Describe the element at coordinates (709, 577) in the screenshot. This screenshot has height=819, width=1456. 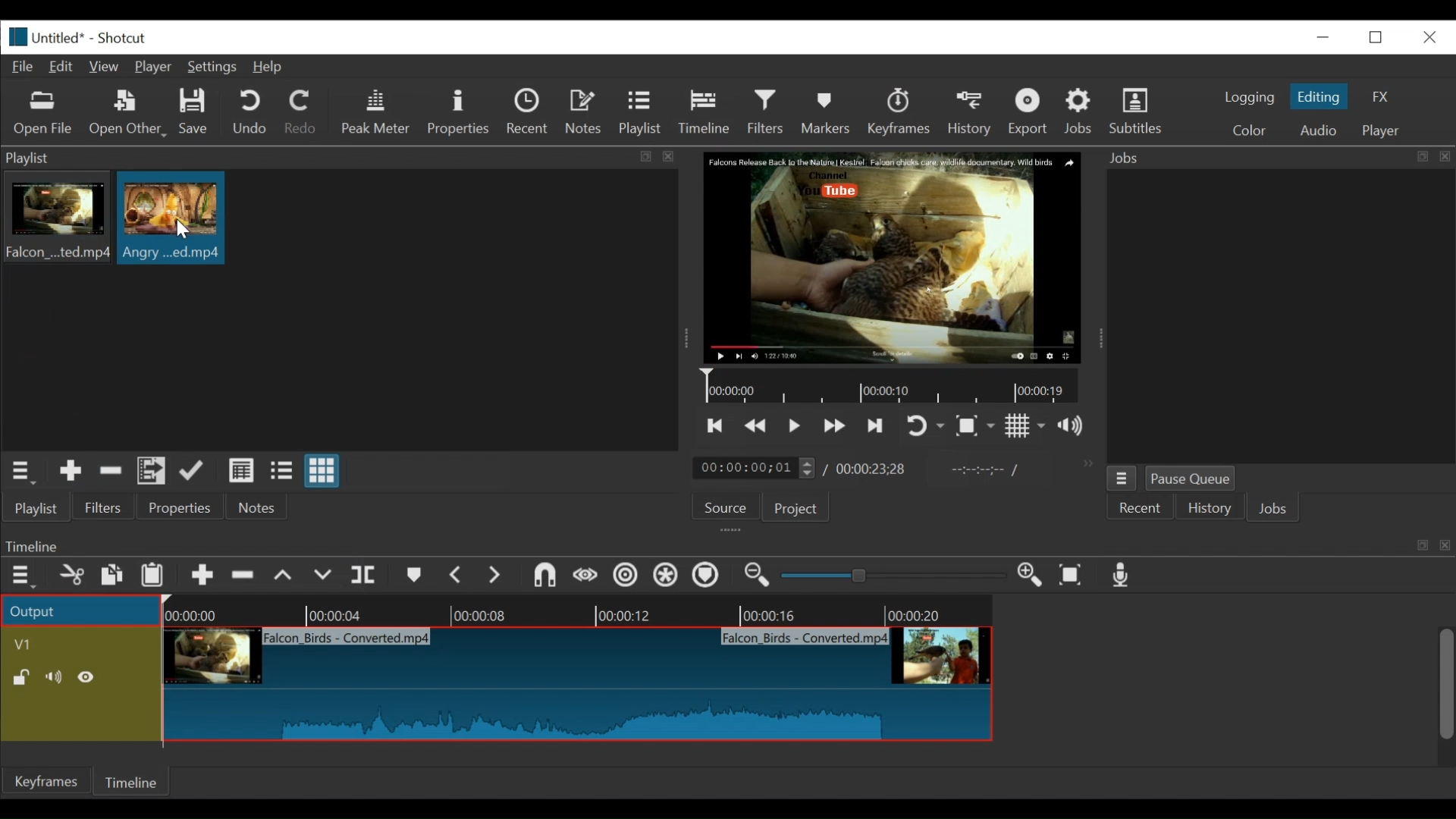
I see `Ripple markers` at that location.